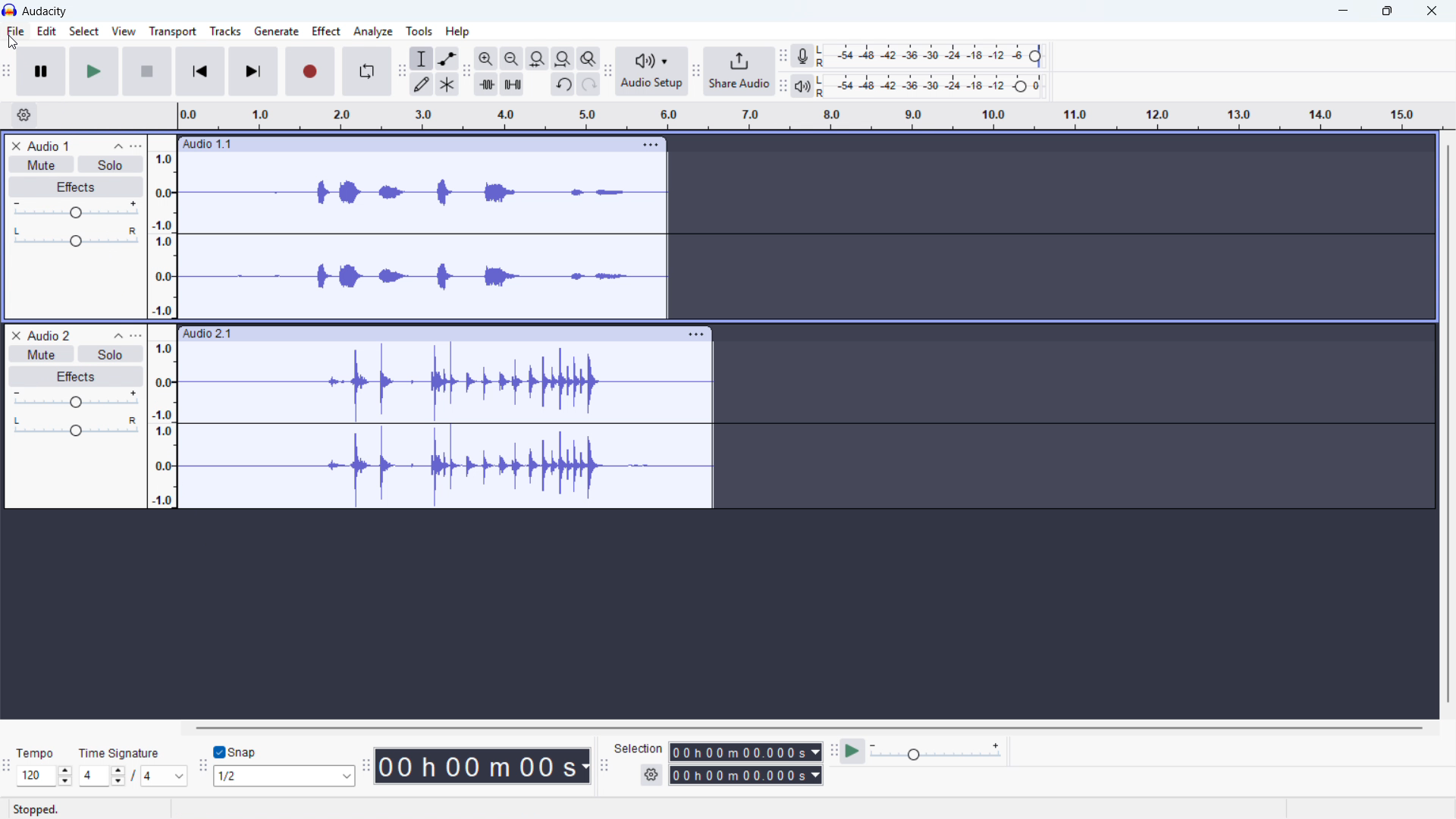 This screenshot has height=819, width=1456. What do you see at coordinates (486, 83) in the screenshot?
I see `Trim audio outside selection` at bounding box center [486, 83].